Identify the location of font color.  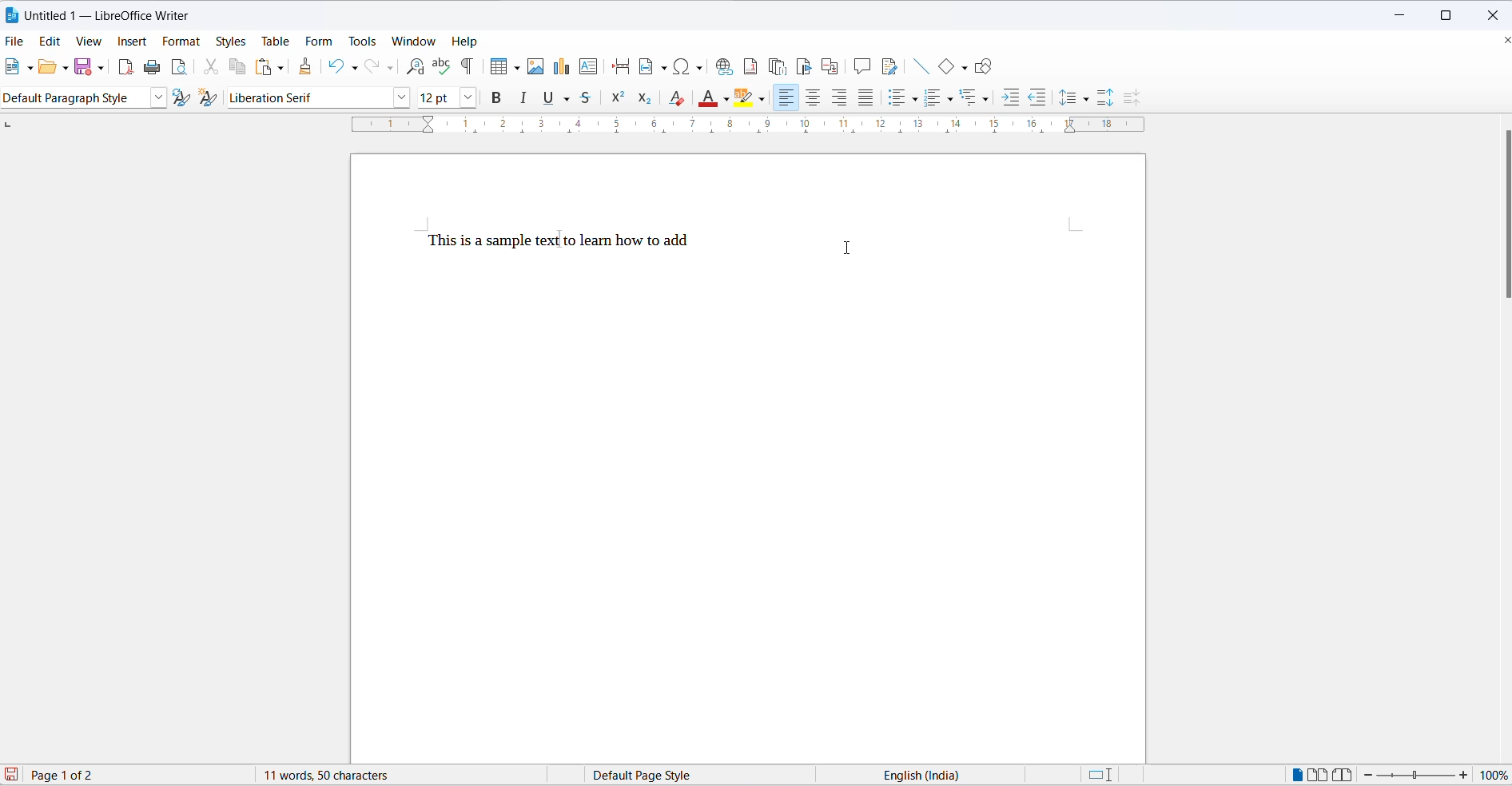
(710, 98).